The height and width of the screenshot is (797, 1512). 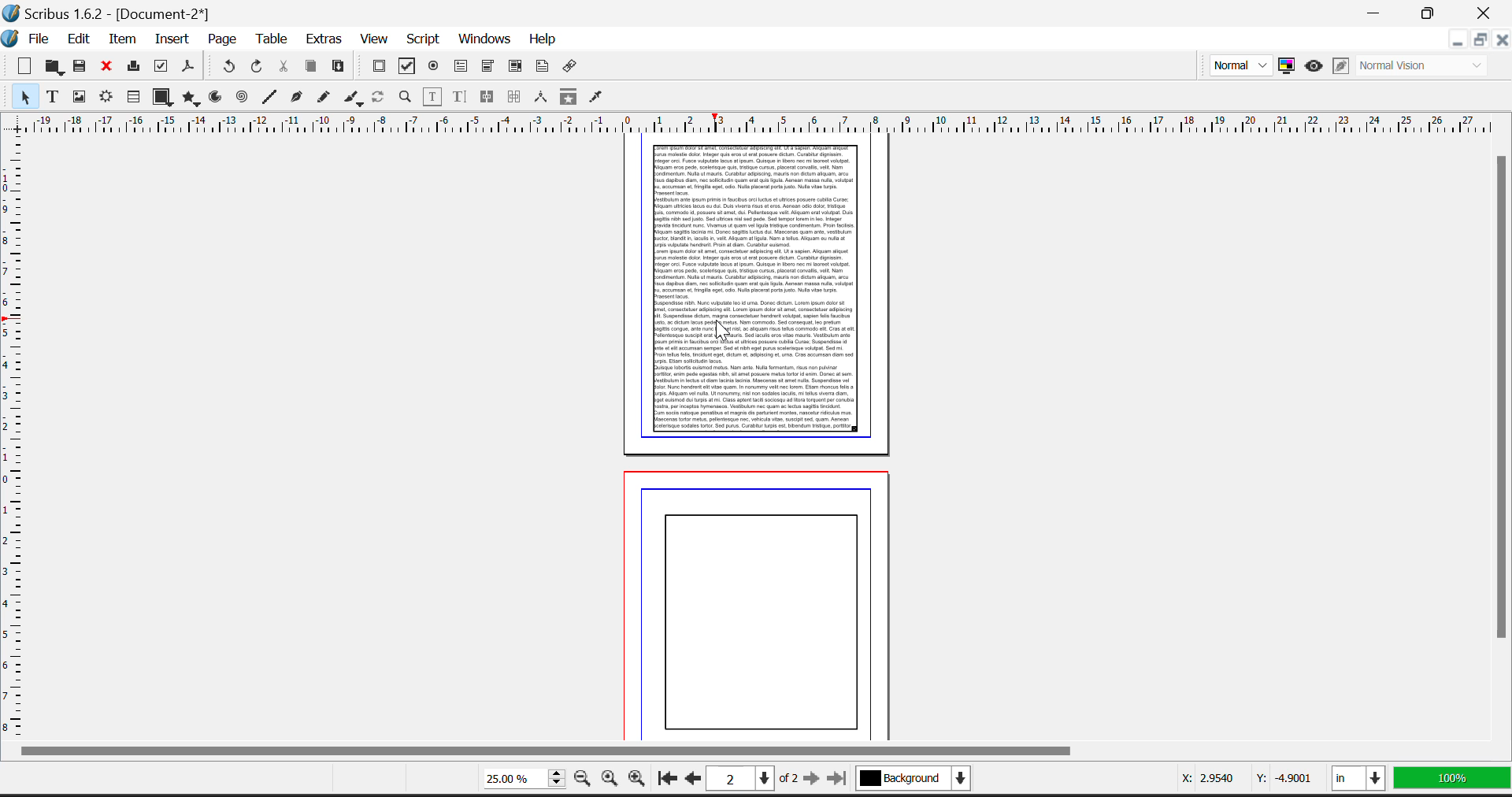 What do you see at coordinates (407, 66) in the screenshot?
I see `PDF Checkbox` at bounding box center [407, 66].